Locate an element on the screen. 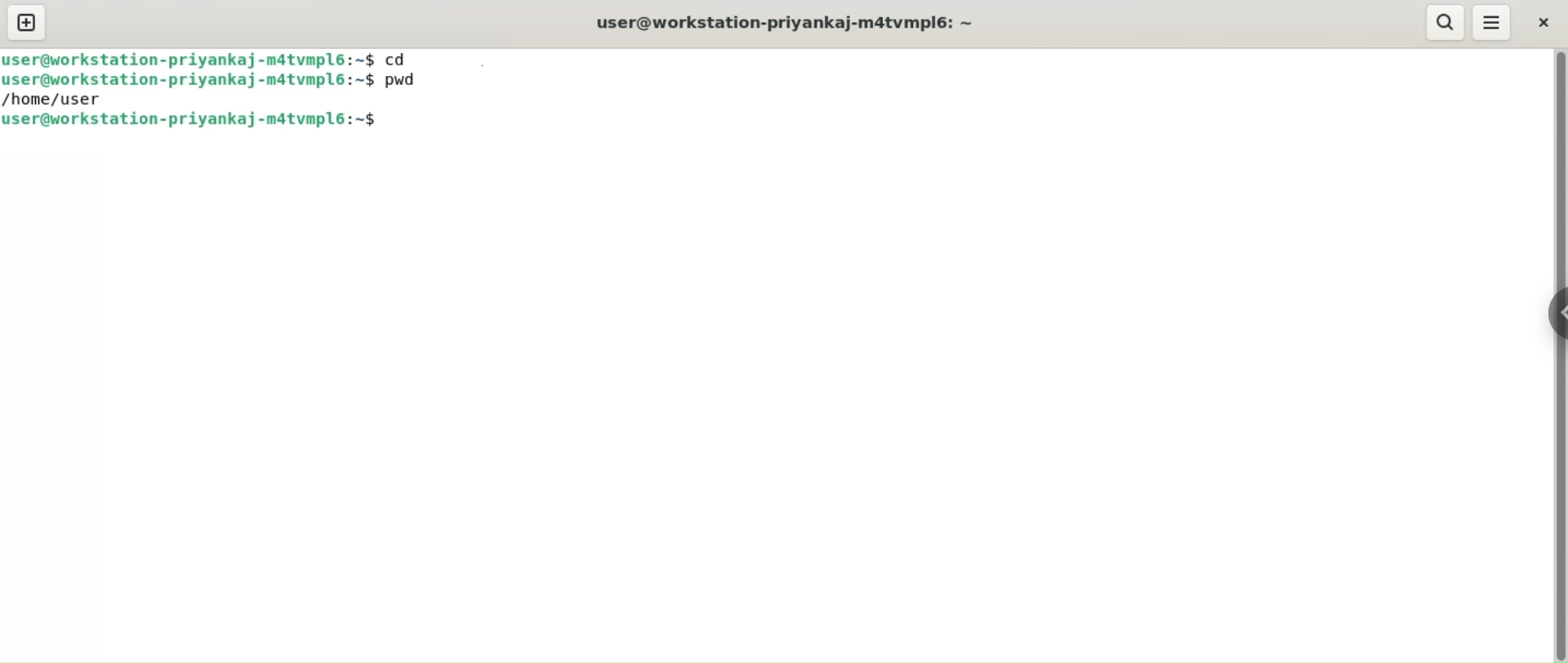 This screenshot has height=663, width=1568. user@workstation-priyankaj-m4atvmpl6:~ is located at coordinates (791, 23).